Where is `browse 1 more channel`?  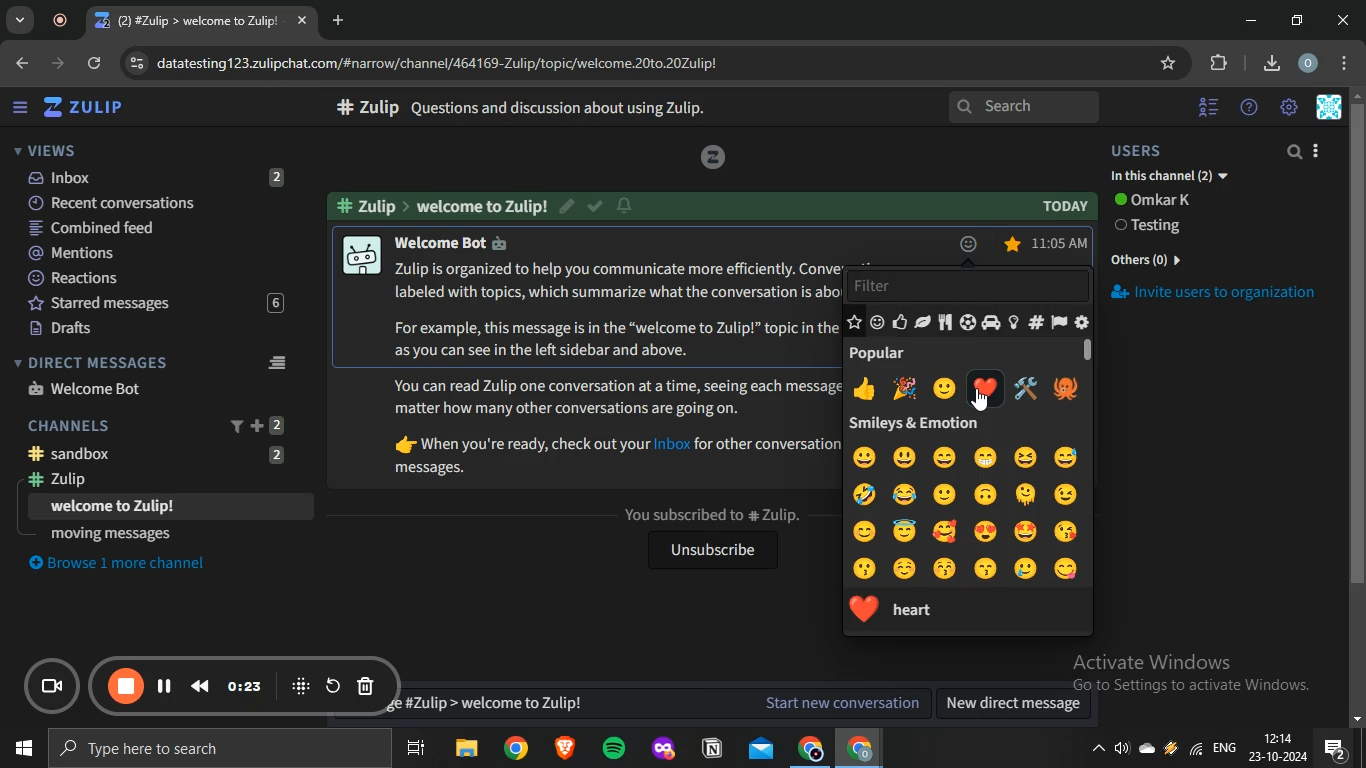
browse 1 more channel is located at coordinates (127, 562).